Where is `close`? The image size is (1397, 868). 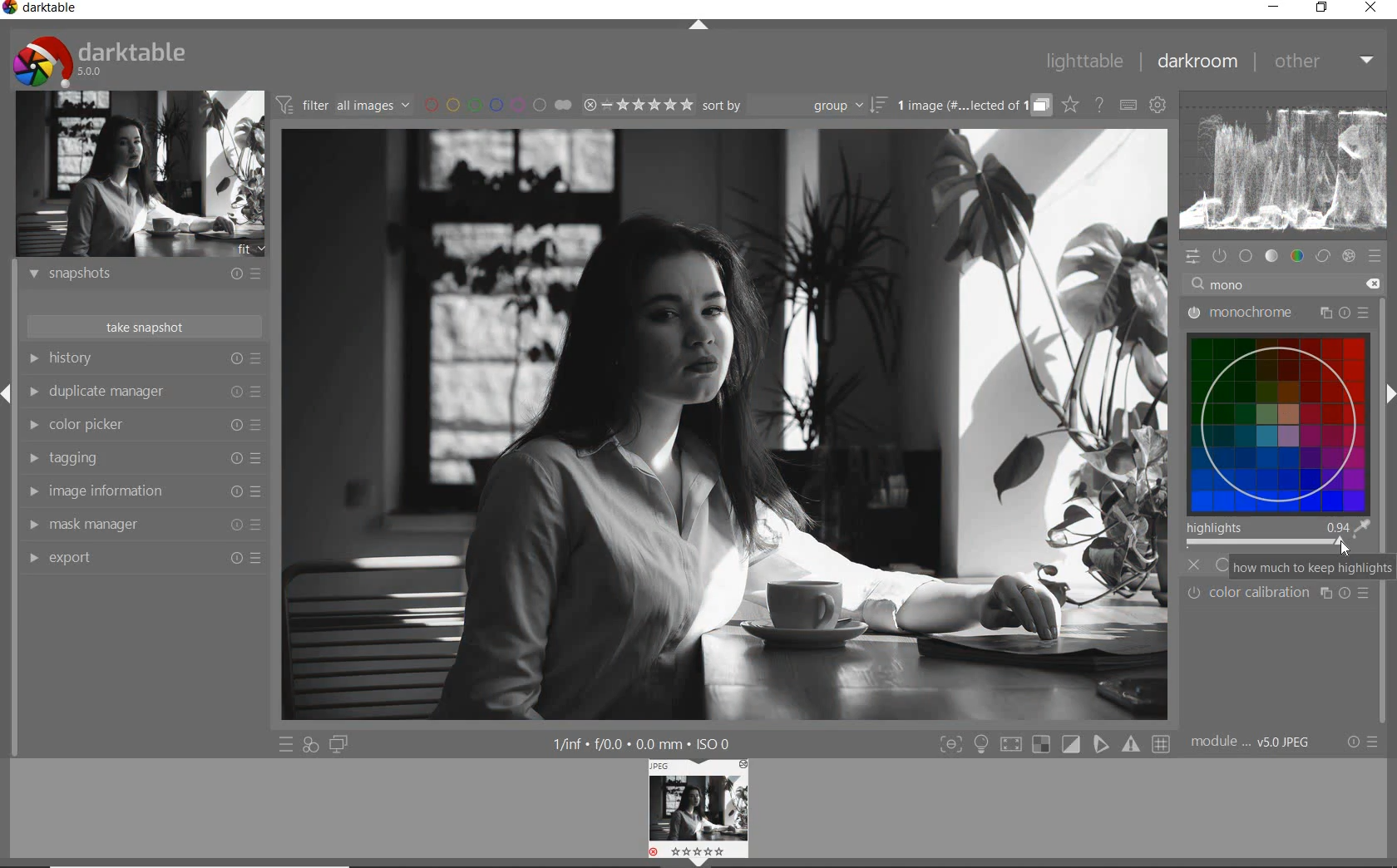
close is located at coordinates (1370, 7).